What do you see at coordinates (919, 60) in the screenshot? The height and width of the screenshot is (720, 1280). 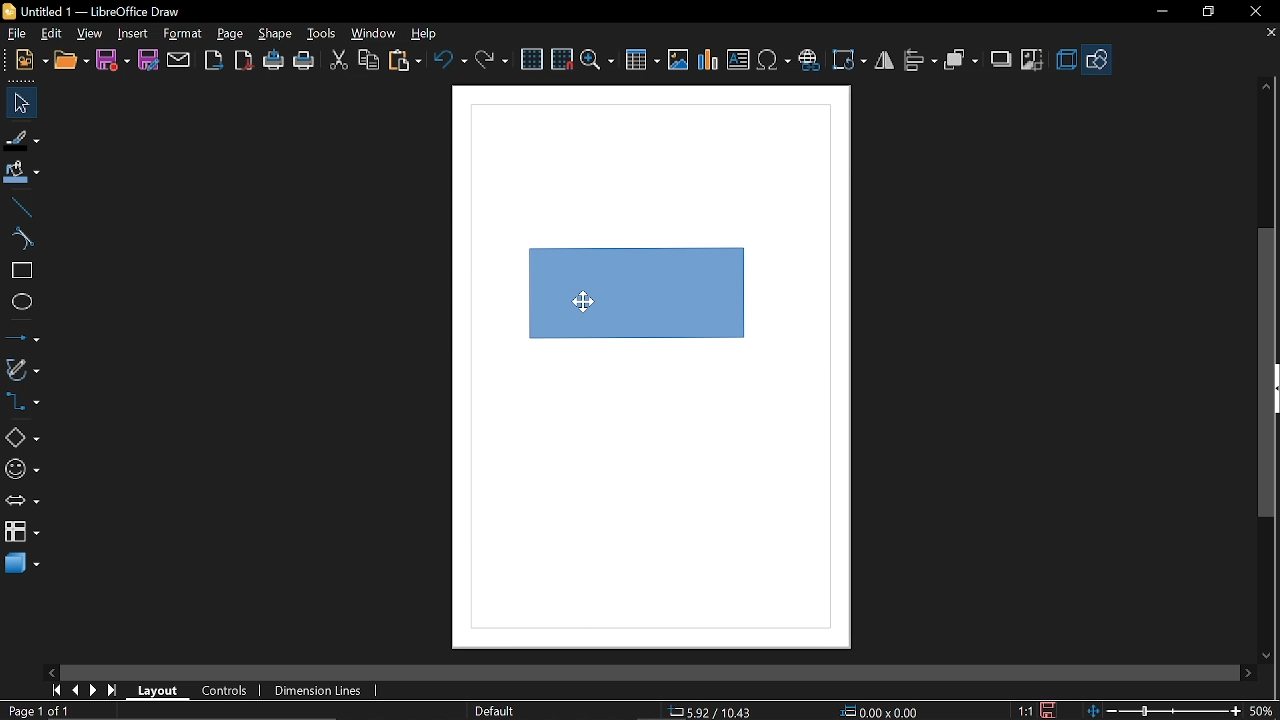 I see `allign` at bounding box center [919, 60].